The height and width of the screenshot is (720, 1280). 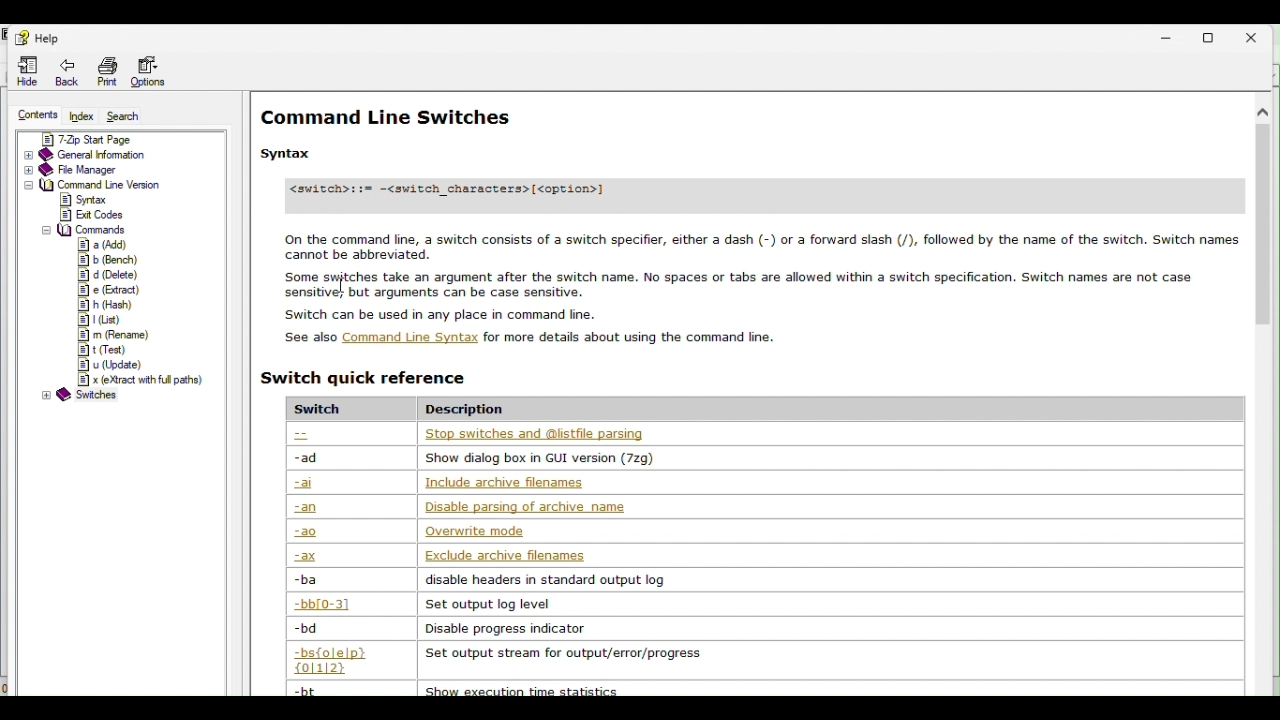 I want to click on commands, so click(x=120, y=246).